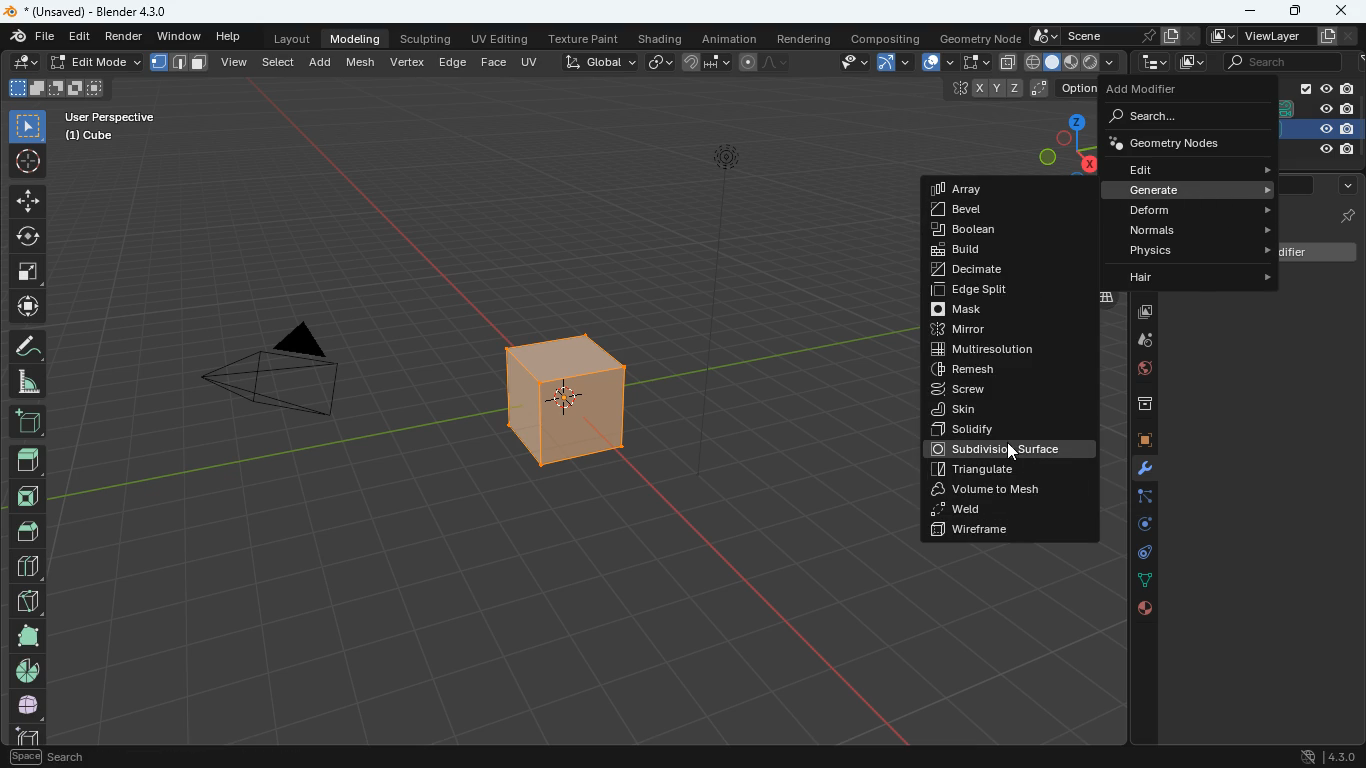  What do you see at coordinates (1141, 500) in the screenshot?
I see `edge` at bounding box center [1141, 500].